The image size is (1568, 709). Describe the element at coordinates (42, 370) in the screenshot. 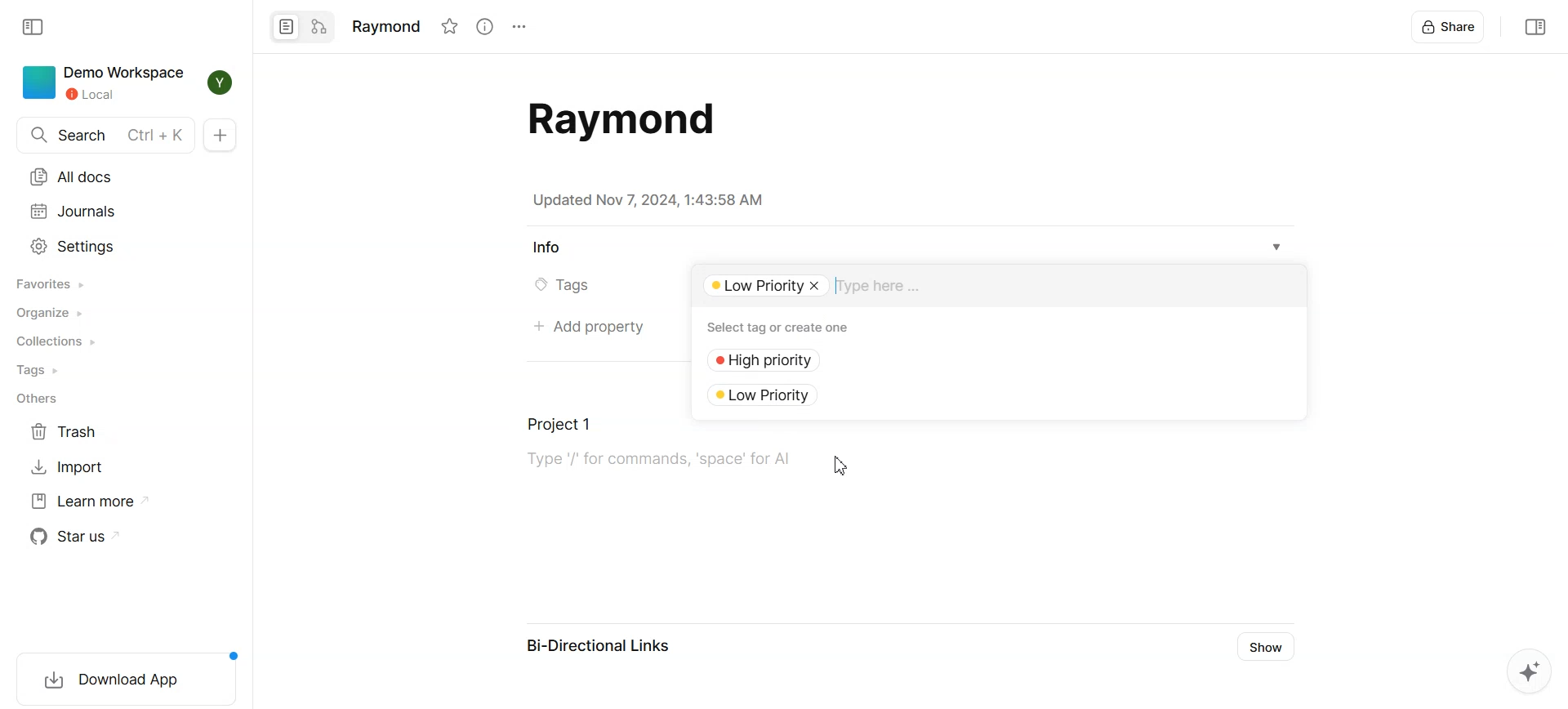

I see `Tags` at that location.